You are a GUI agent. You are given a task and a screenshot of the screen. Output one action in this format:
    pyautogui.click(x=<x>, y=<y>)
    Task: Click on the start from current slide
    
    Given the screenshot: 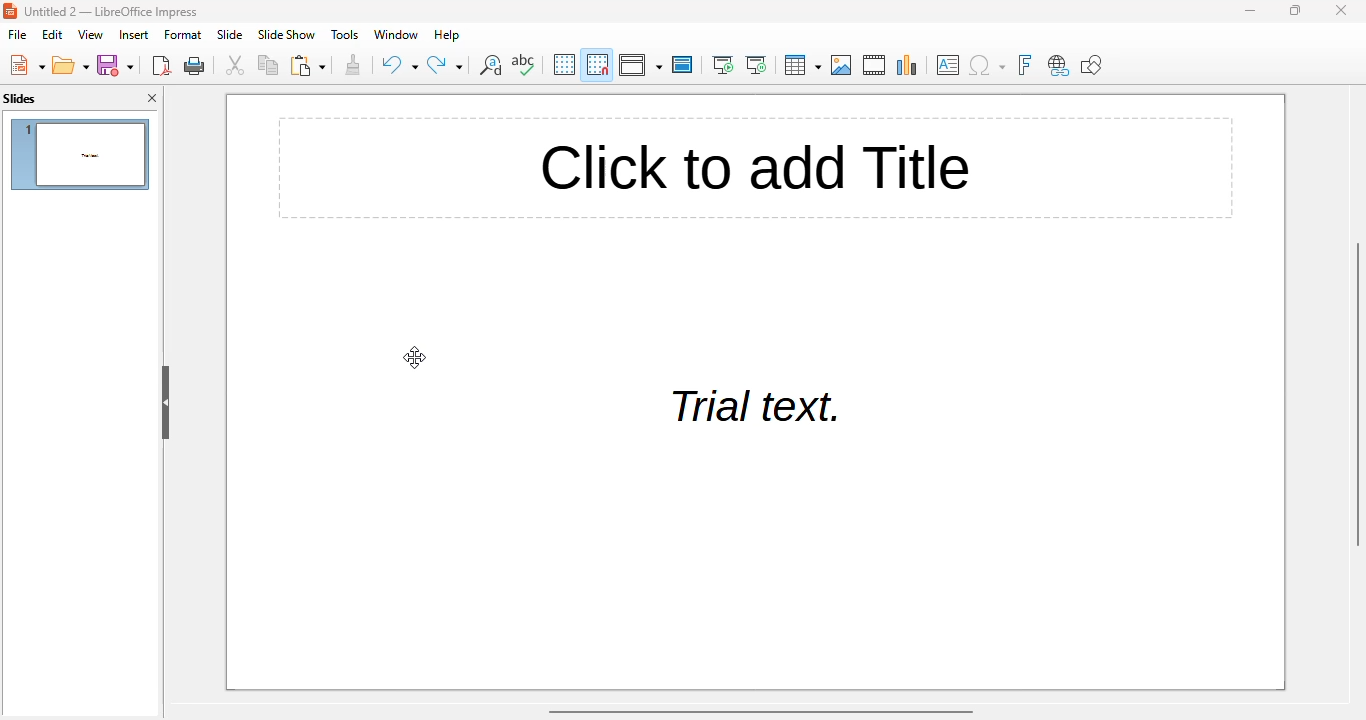 What is the action you would take?
    pyautogui.click(x=757, y=65)
    